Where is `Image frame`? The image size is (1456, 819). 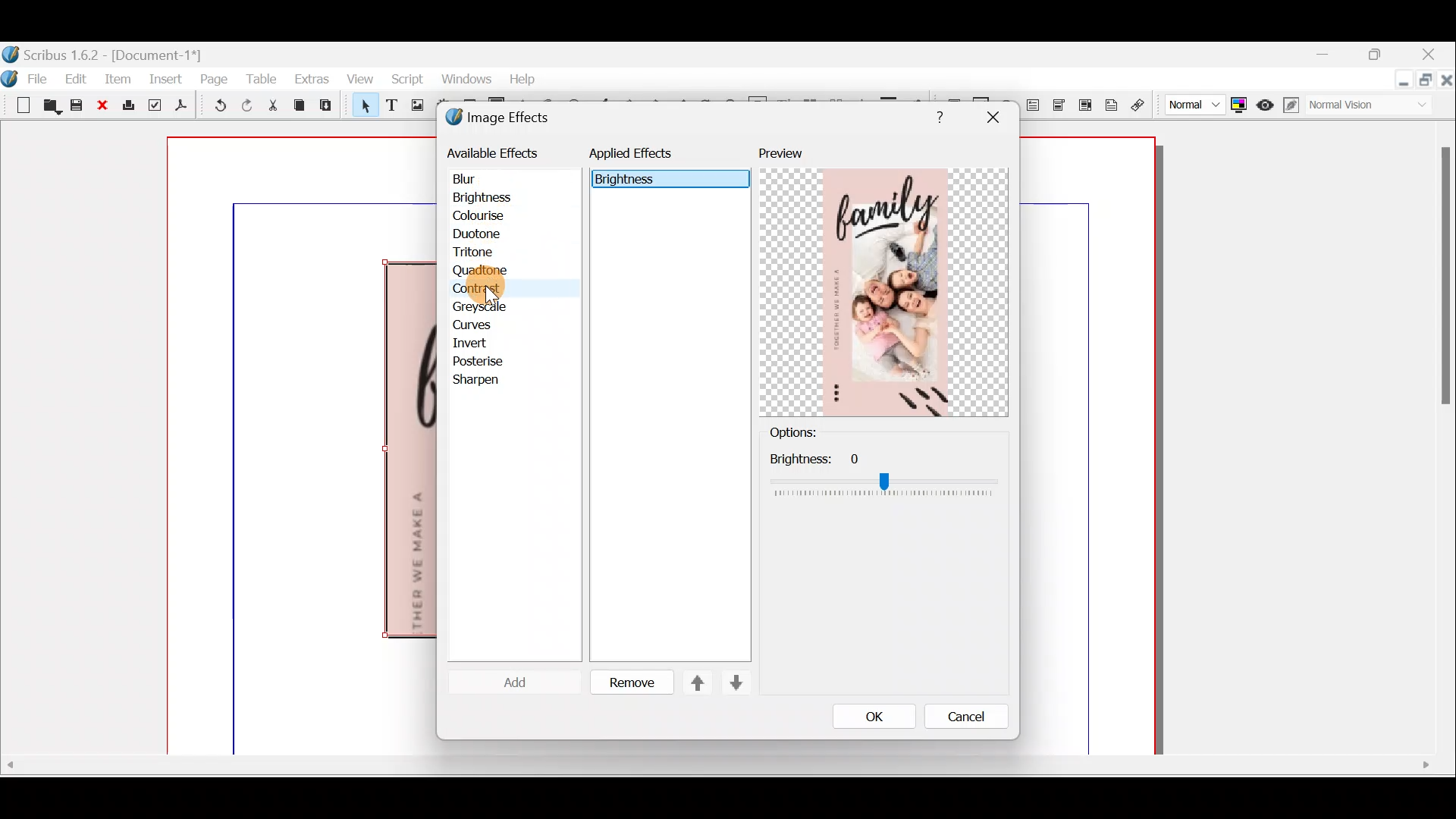 Image frame is located at coordinates (415, 107).